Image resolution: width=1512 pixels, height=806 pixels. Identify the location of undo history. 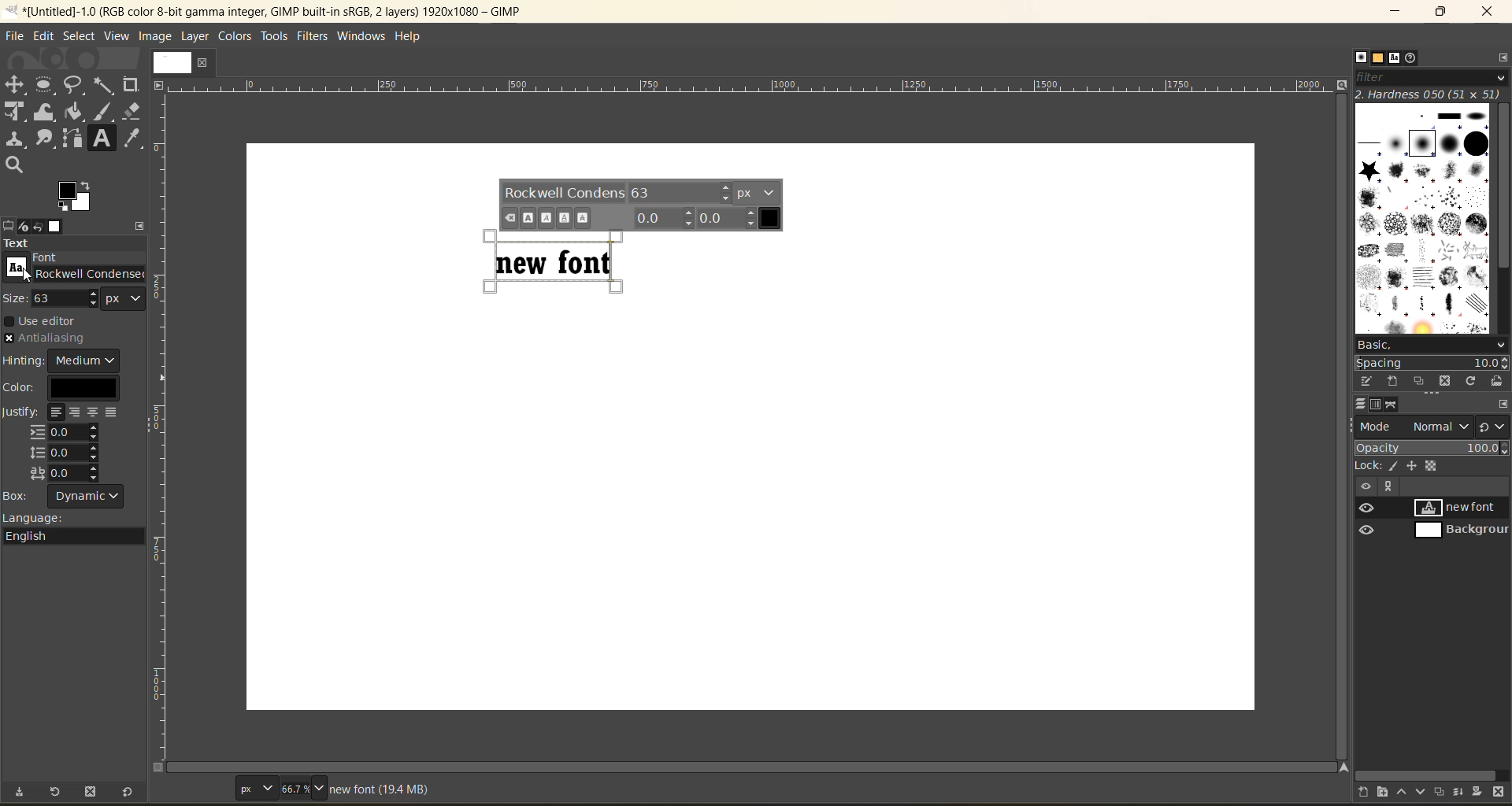
(38, 227).